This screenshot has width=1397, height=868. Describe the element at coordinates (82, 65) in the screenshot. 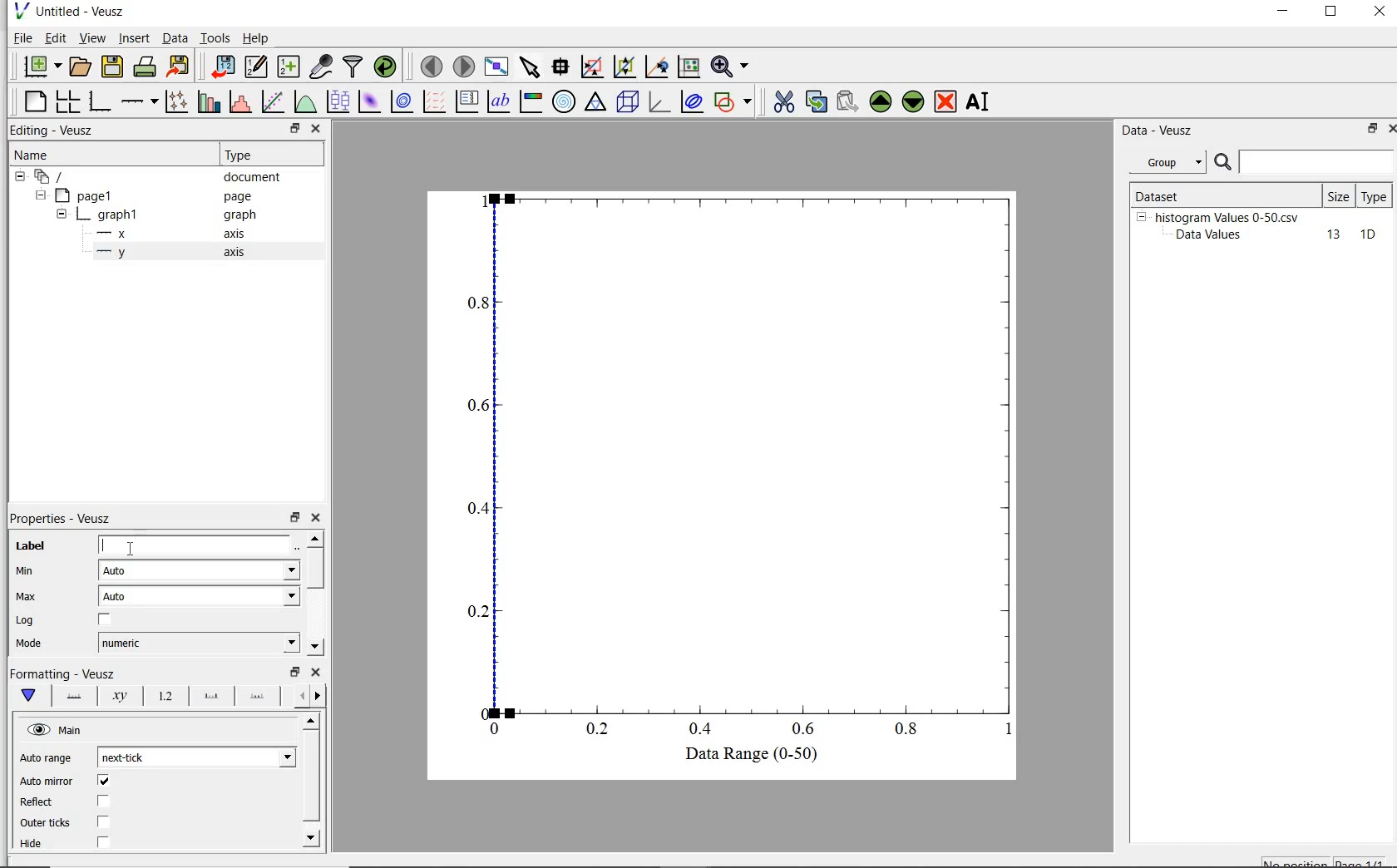

I see `open` at that location.